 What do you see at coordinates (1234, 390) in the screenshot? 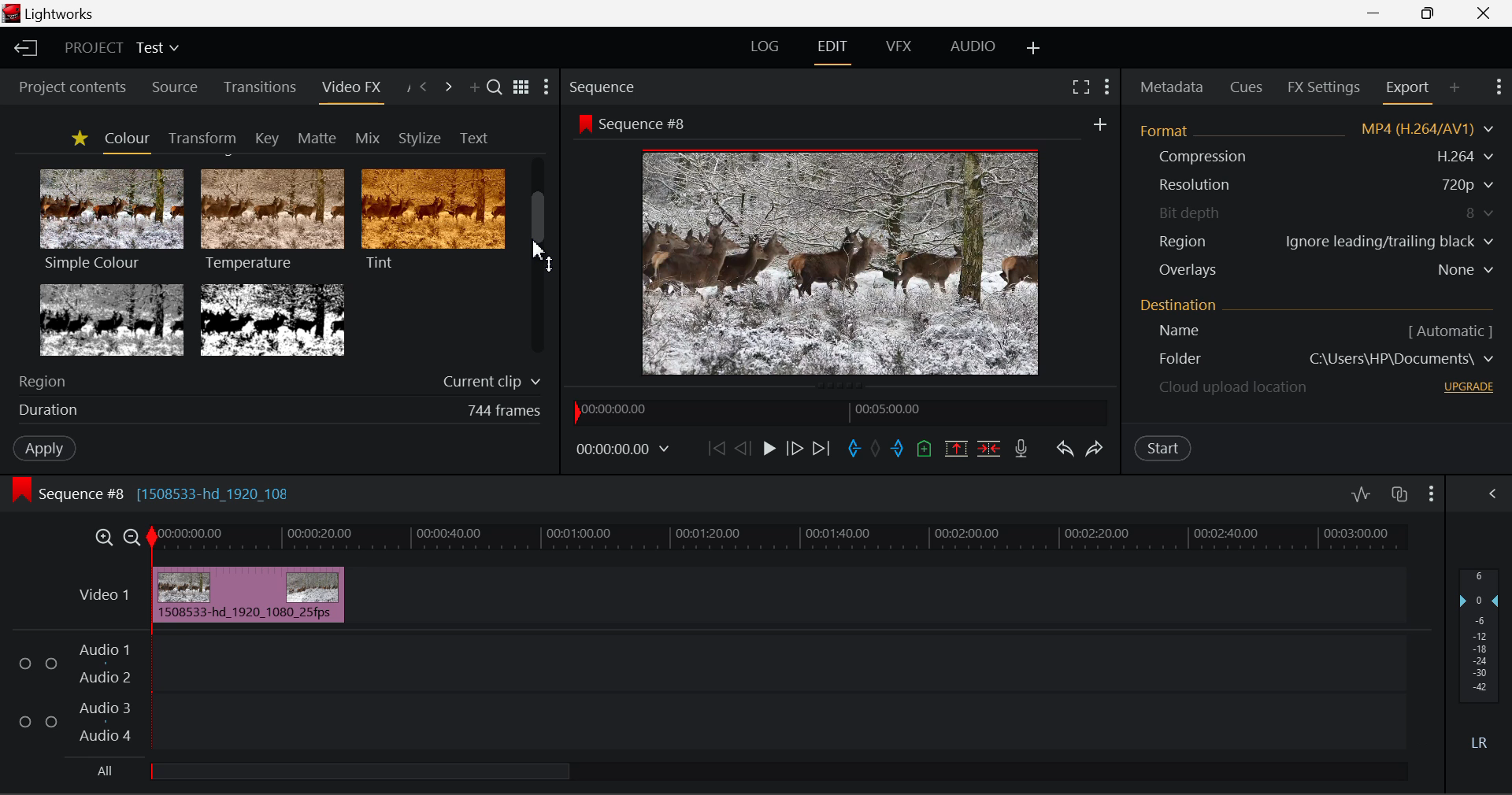
I see `Cloud upload location - upgrade` at bounding box center [1234, 390].